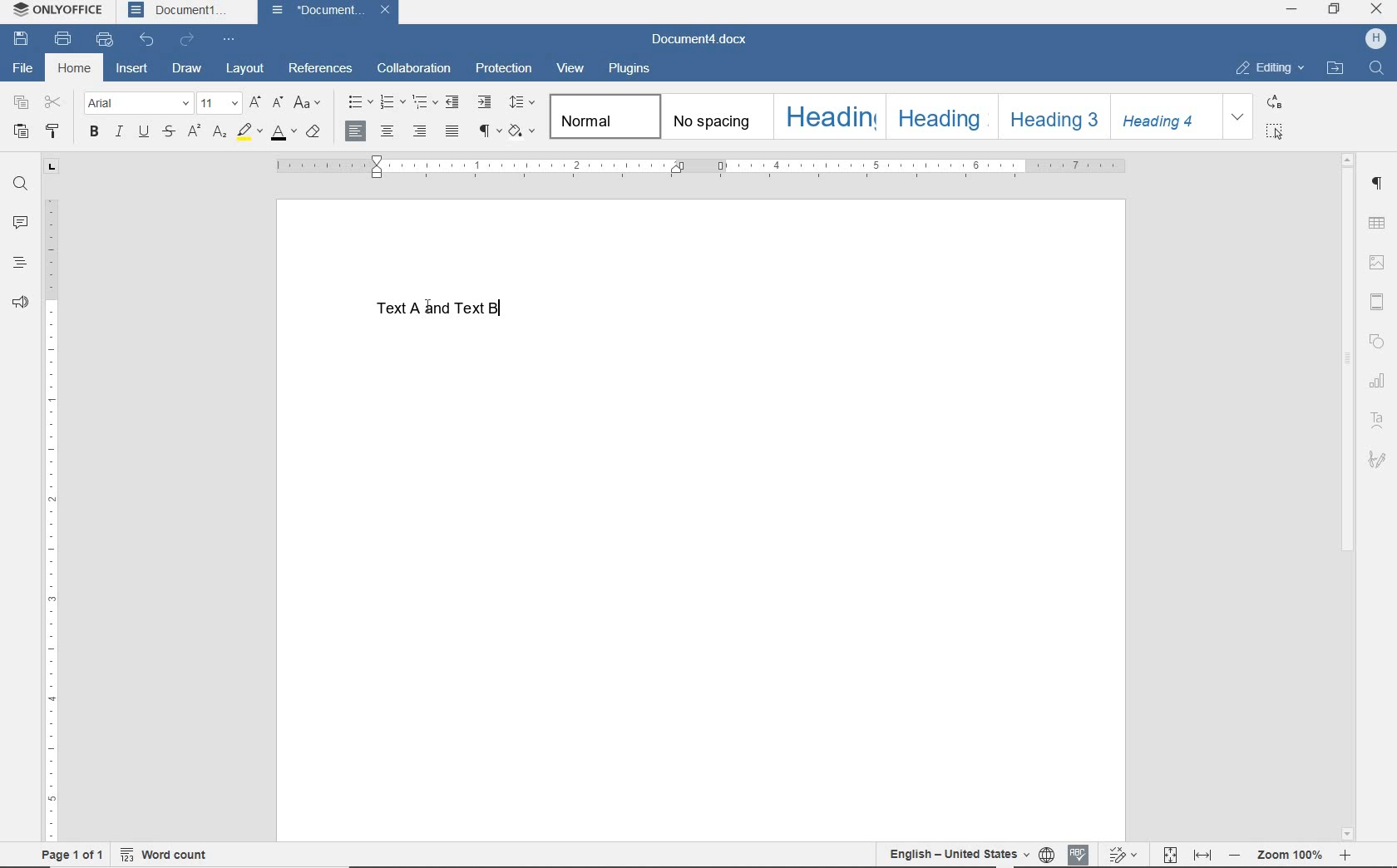 The image size is (1397, 868). I want to click on SUBSCRIPT, so click(219, 133).